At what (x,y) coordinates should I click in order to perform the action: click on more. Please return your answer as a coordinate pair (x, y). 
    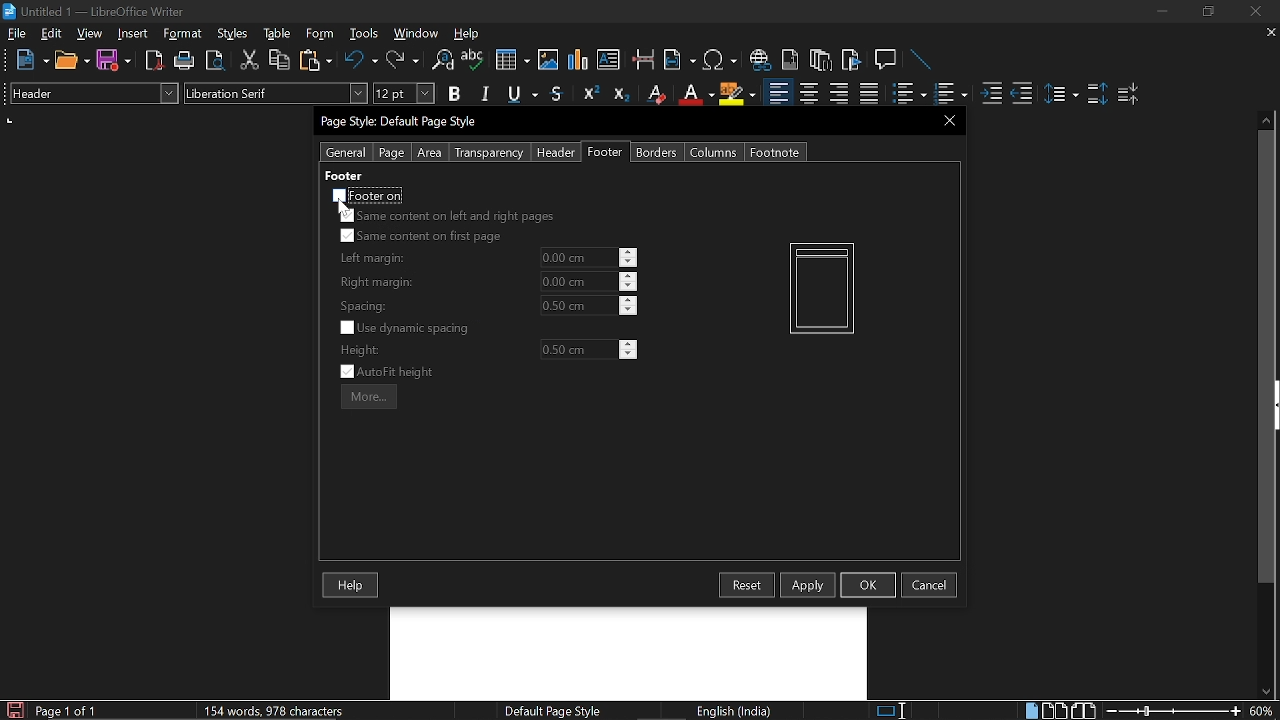
    Looking at the image, I should click on (369, 398).